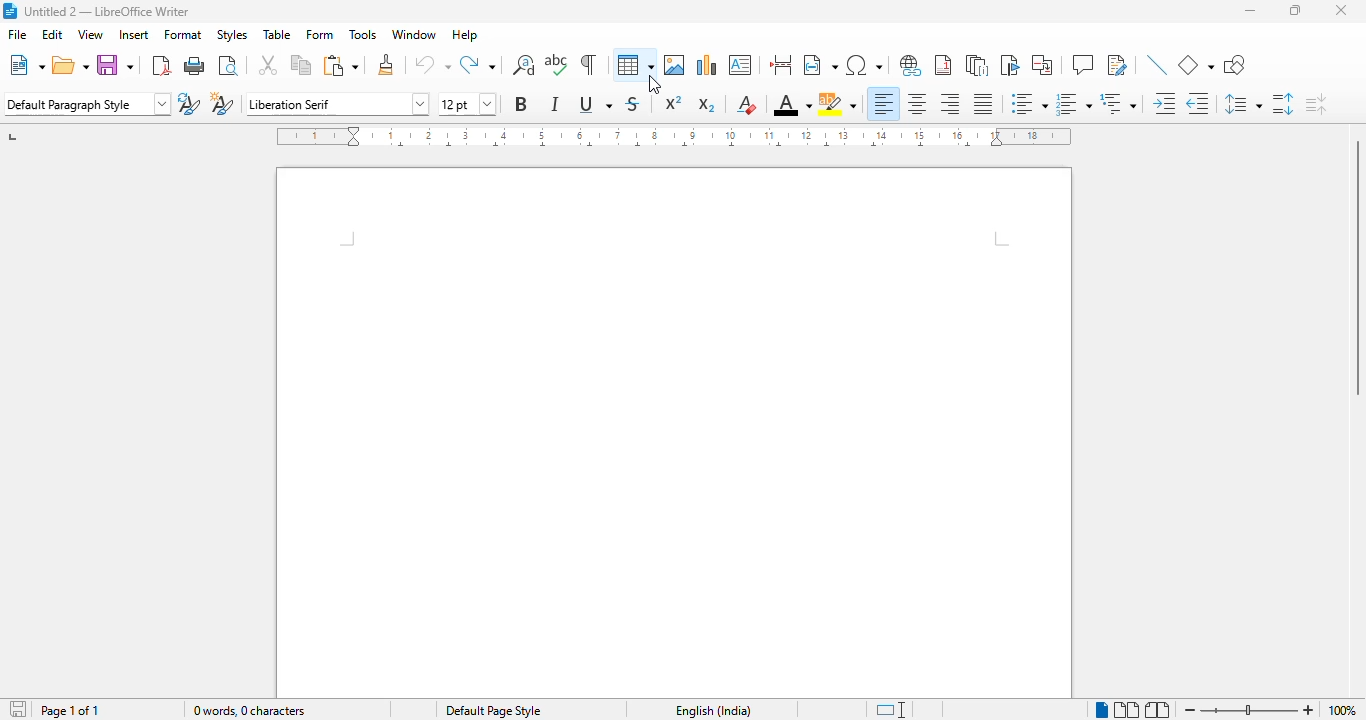  Describe the element at coordinates (1128, 710) in the screenshot. I see `multi-page view` at that location.